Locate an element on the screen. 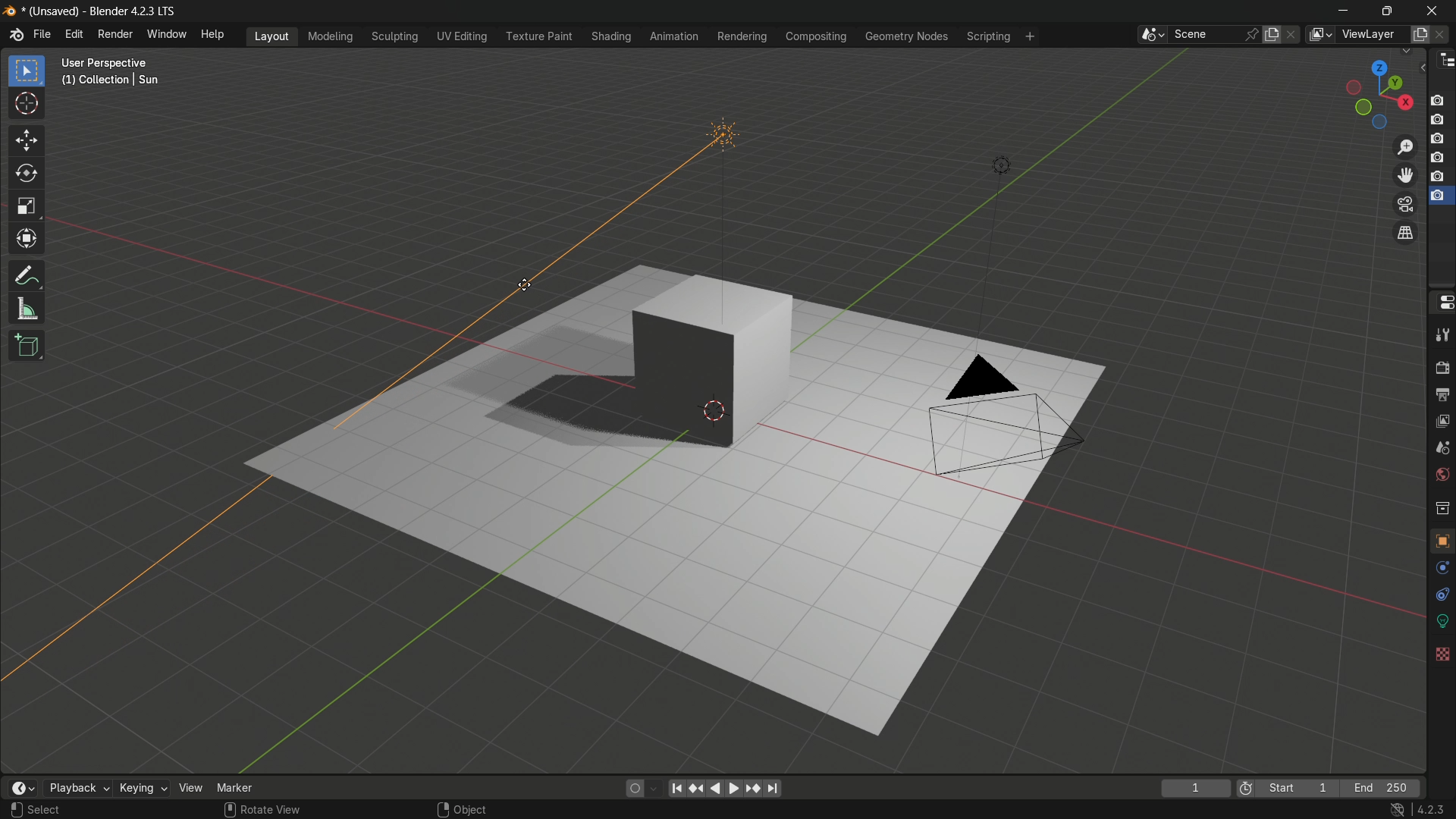 This screenshot has height=819, width=1456. start 1 is located at coordinates (1299, 786).